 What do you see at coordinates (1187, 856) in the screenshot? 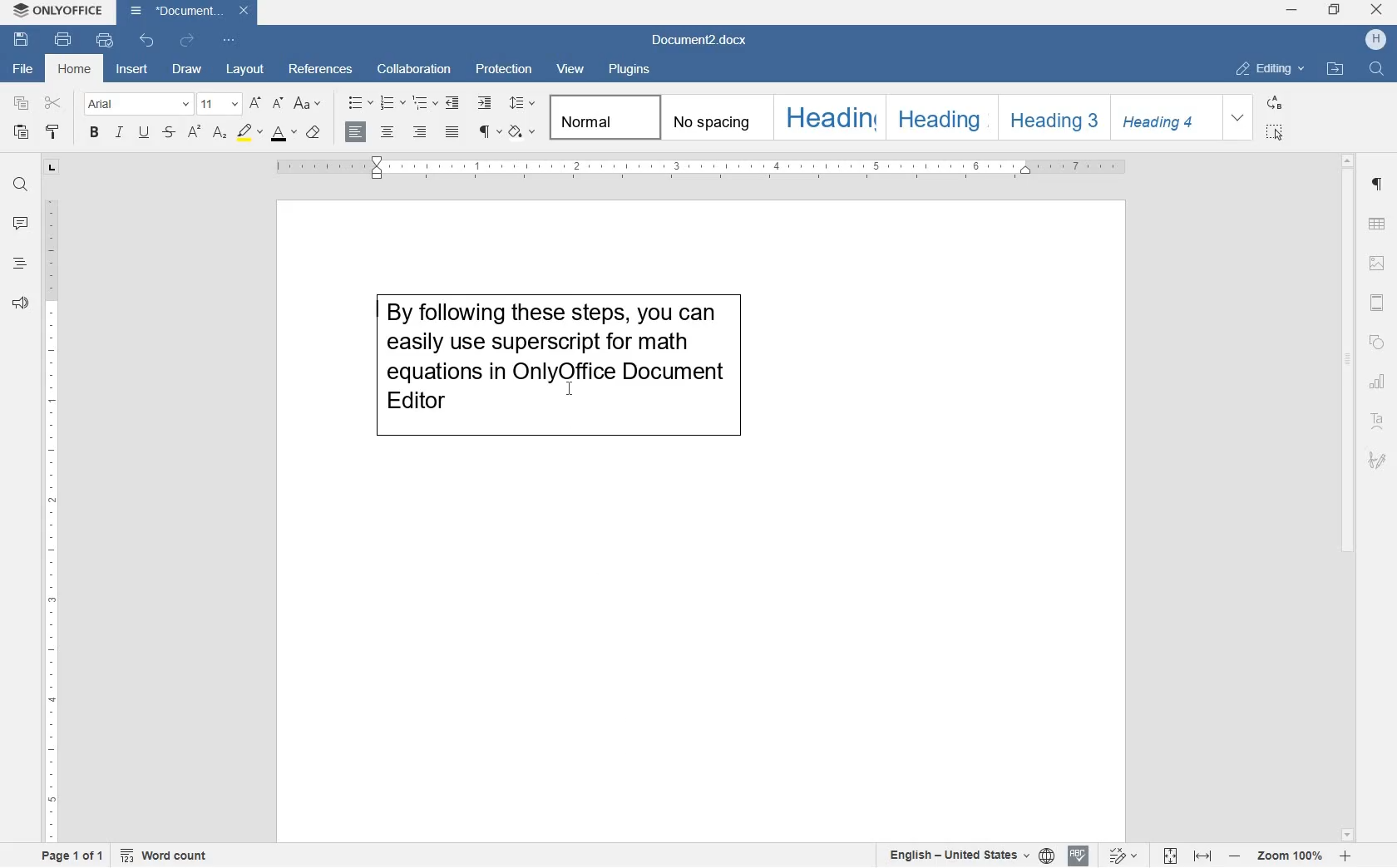
I see `fit to page or width` at bounding box center [1187, 856].